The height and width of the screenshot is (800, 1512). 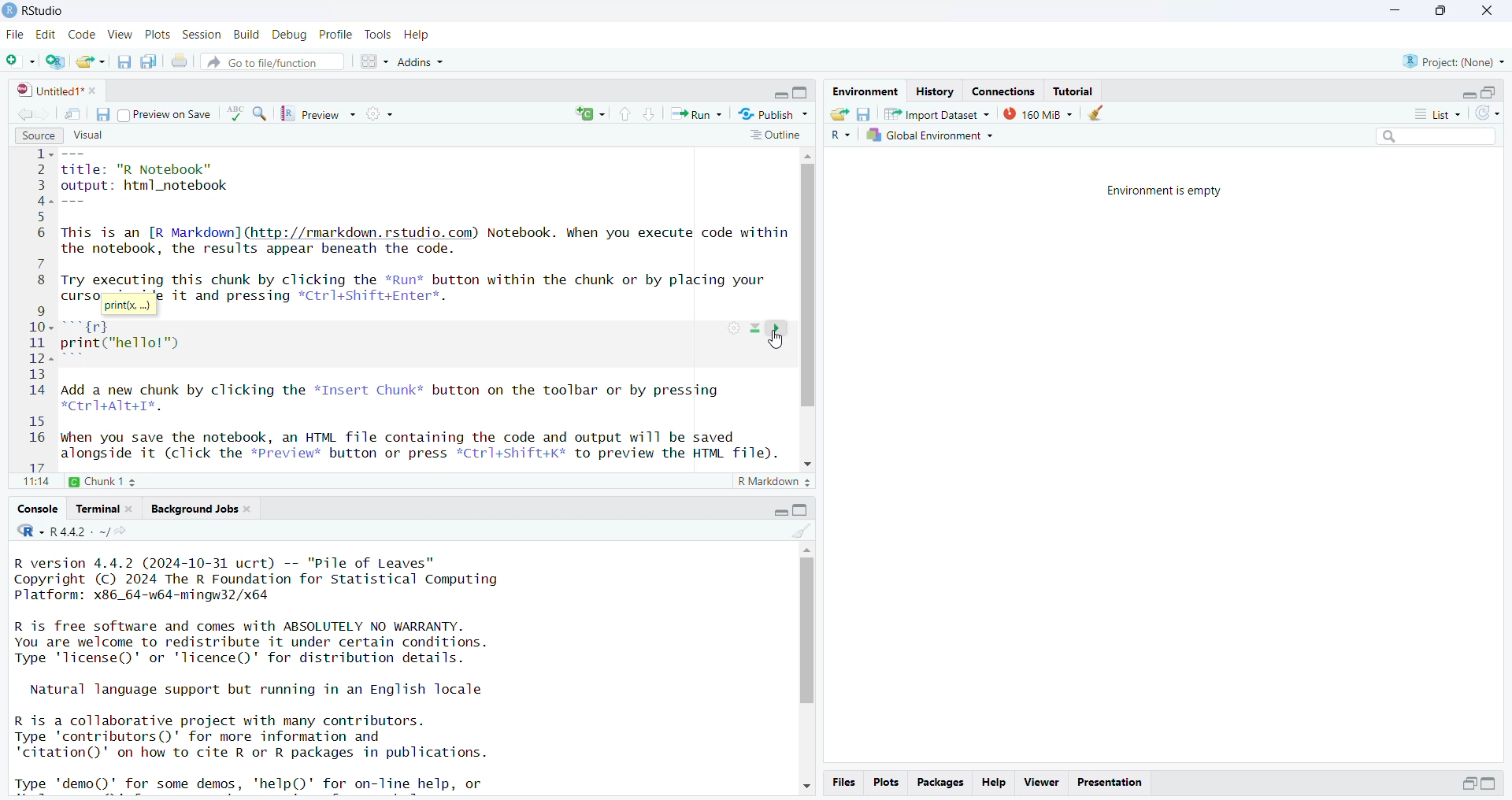 What do you see at coordinates (91, 61) in the screenshot?
I see `open an existing file` at bounding box center [91, 61].